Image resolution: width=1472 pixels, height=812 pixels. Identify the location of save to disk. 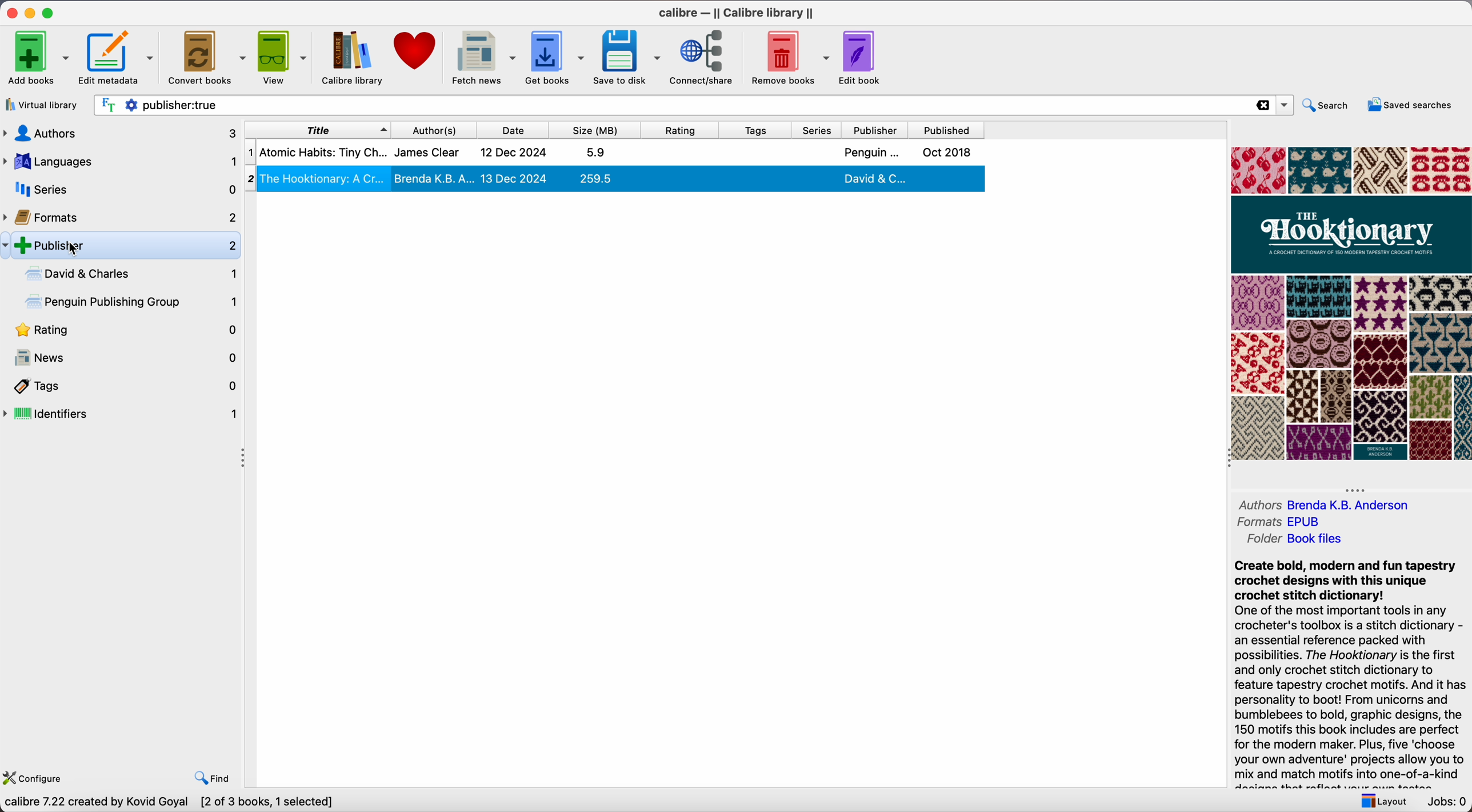
(628, 57).